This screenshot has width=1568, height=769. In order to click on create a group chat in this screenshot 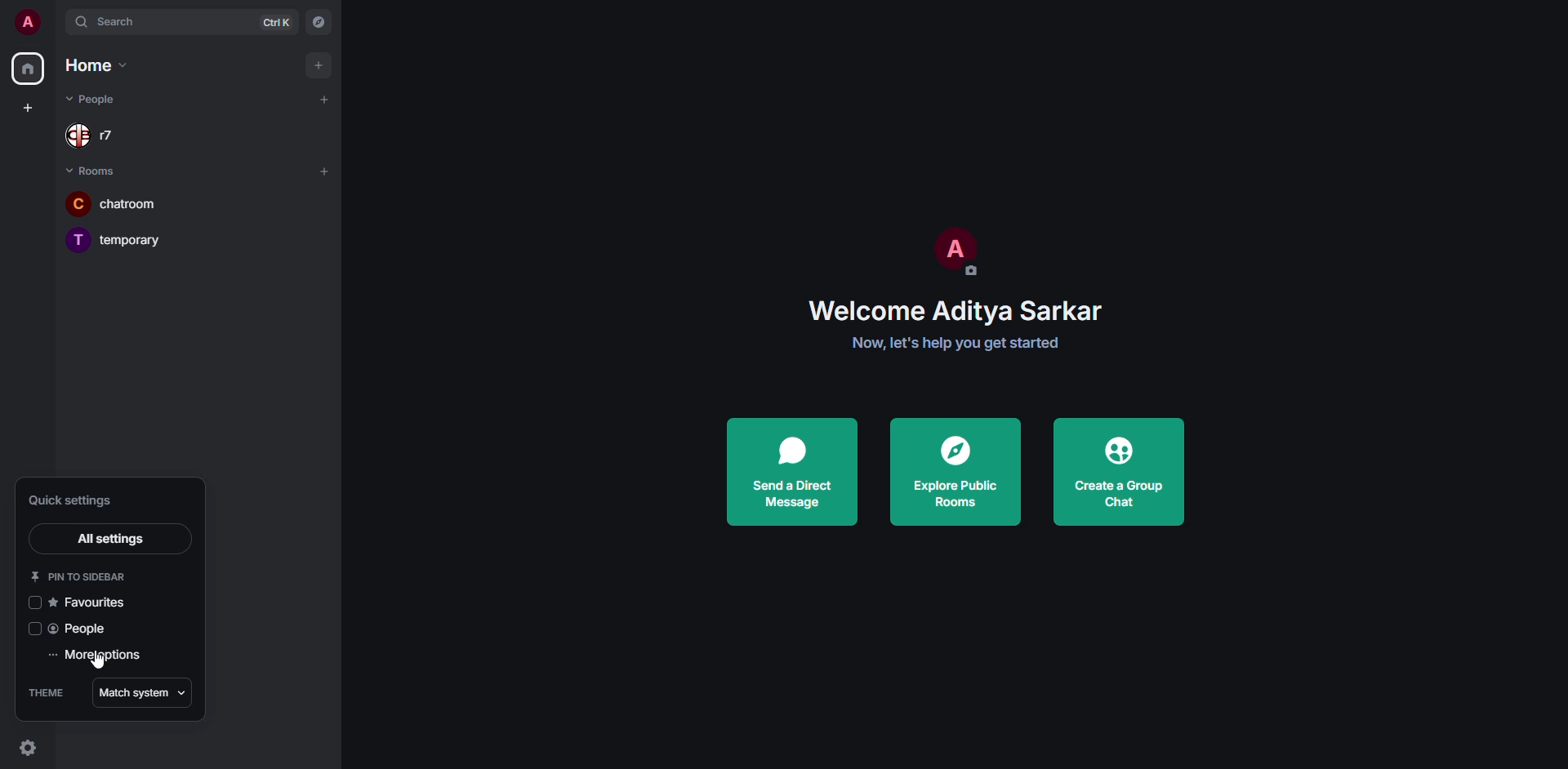, I will do `click(1122, 473)`.